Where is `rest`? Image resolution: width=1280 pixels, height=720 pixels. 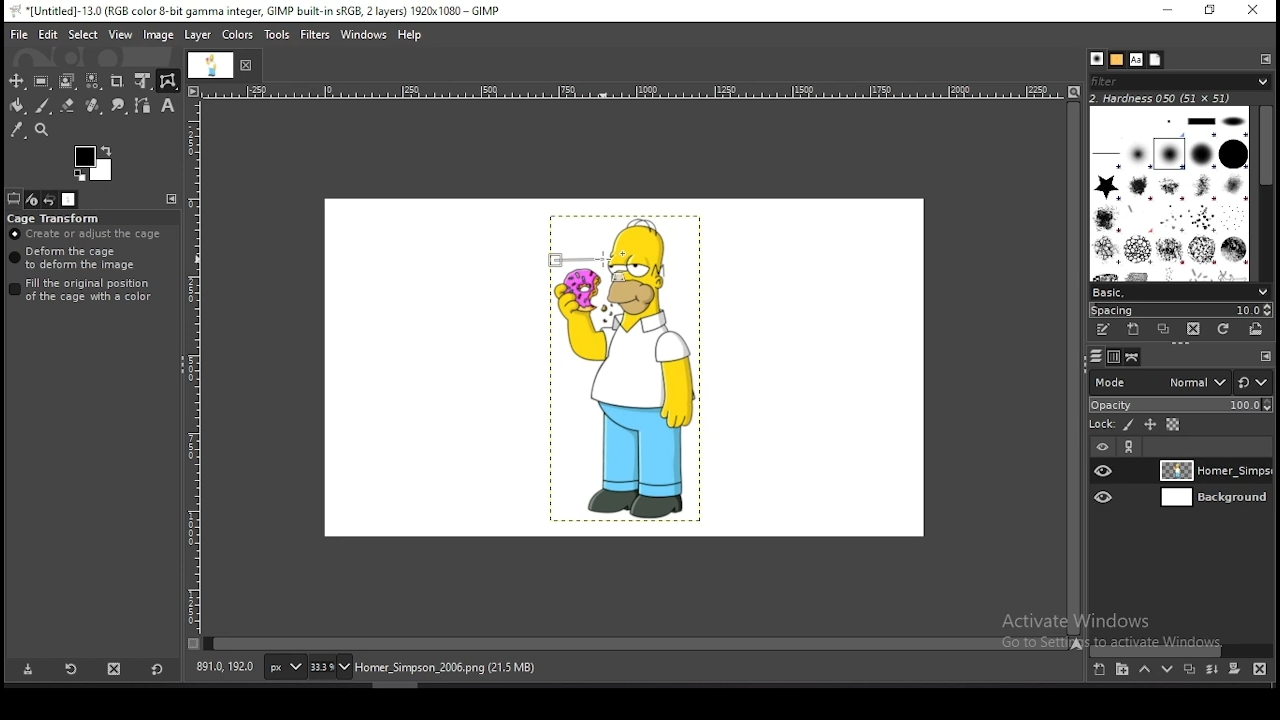
rest is located at coordinates (1253, 382).